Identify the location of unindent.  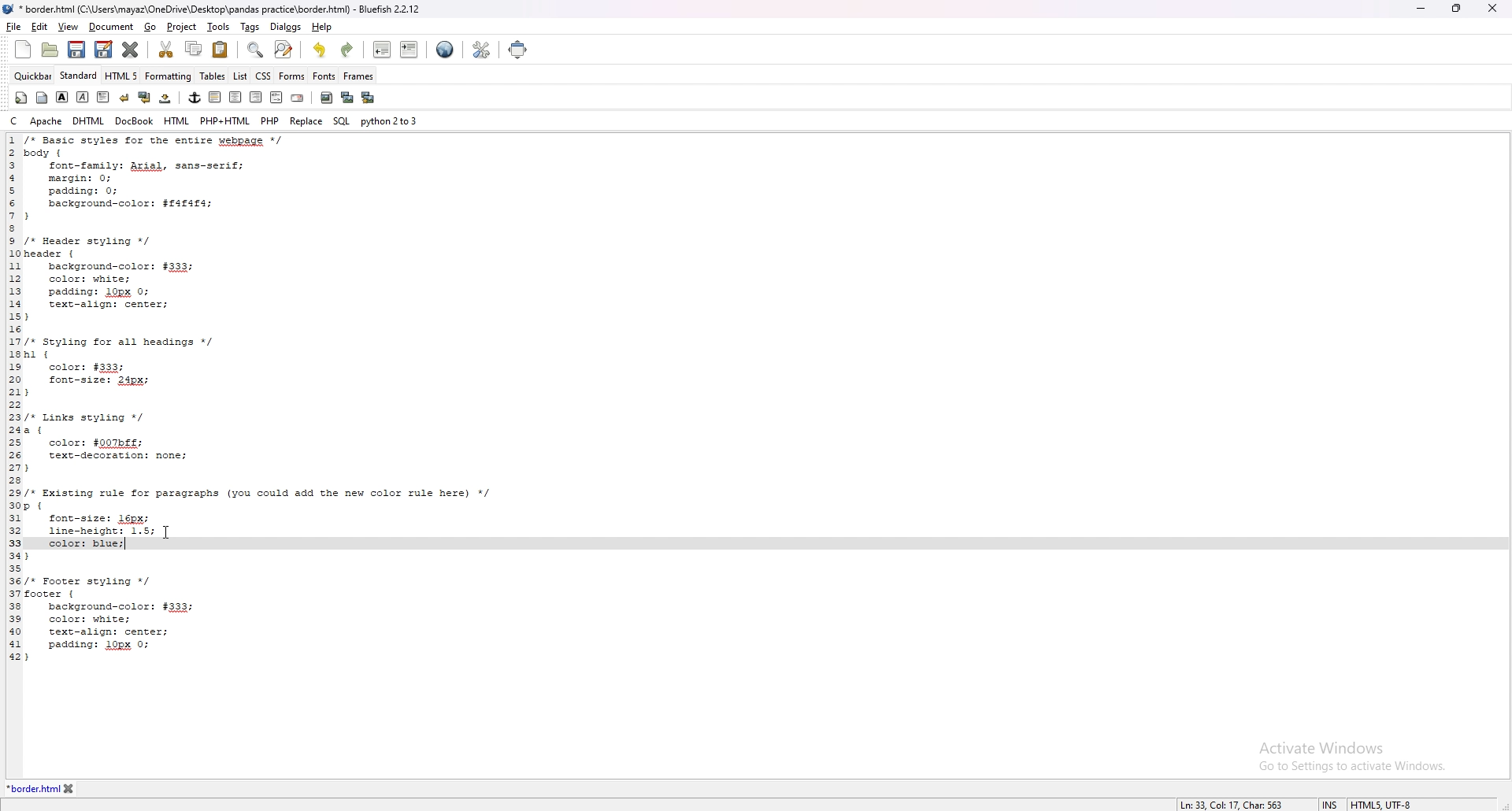
(383, 49).